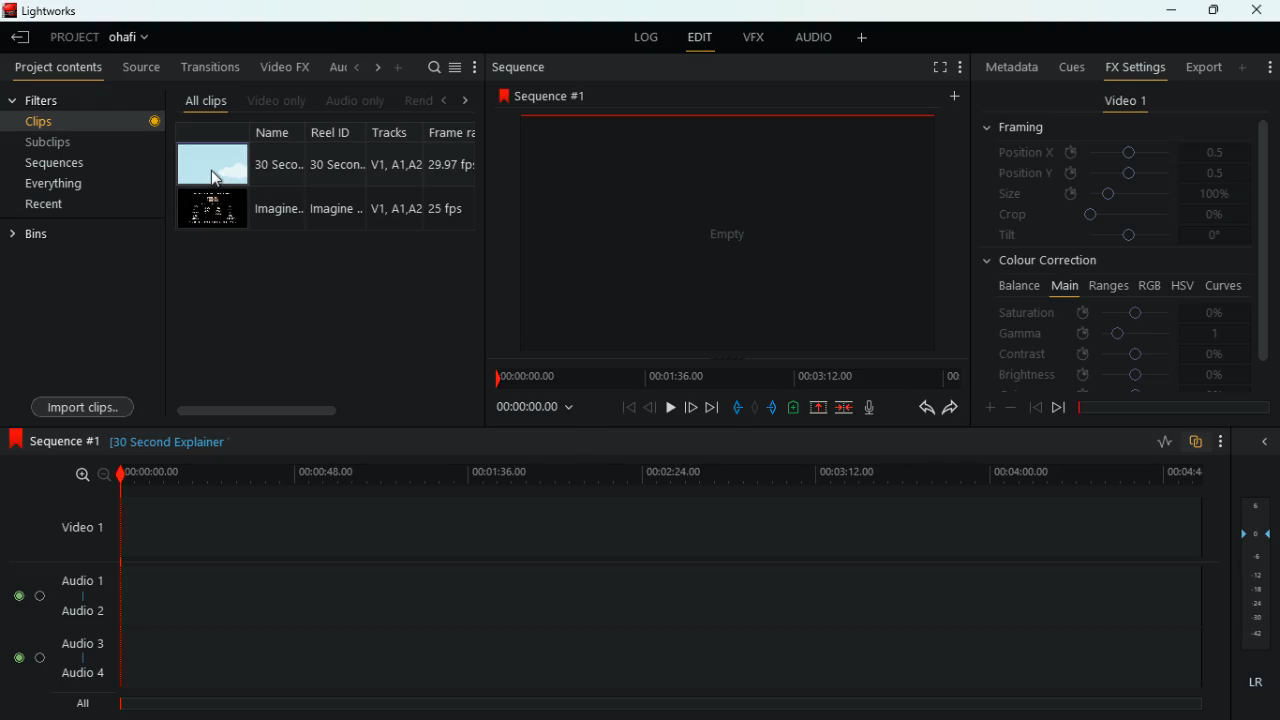 This screenshot has width=1280, height=720. I want to click on recent, so click(66, 206).